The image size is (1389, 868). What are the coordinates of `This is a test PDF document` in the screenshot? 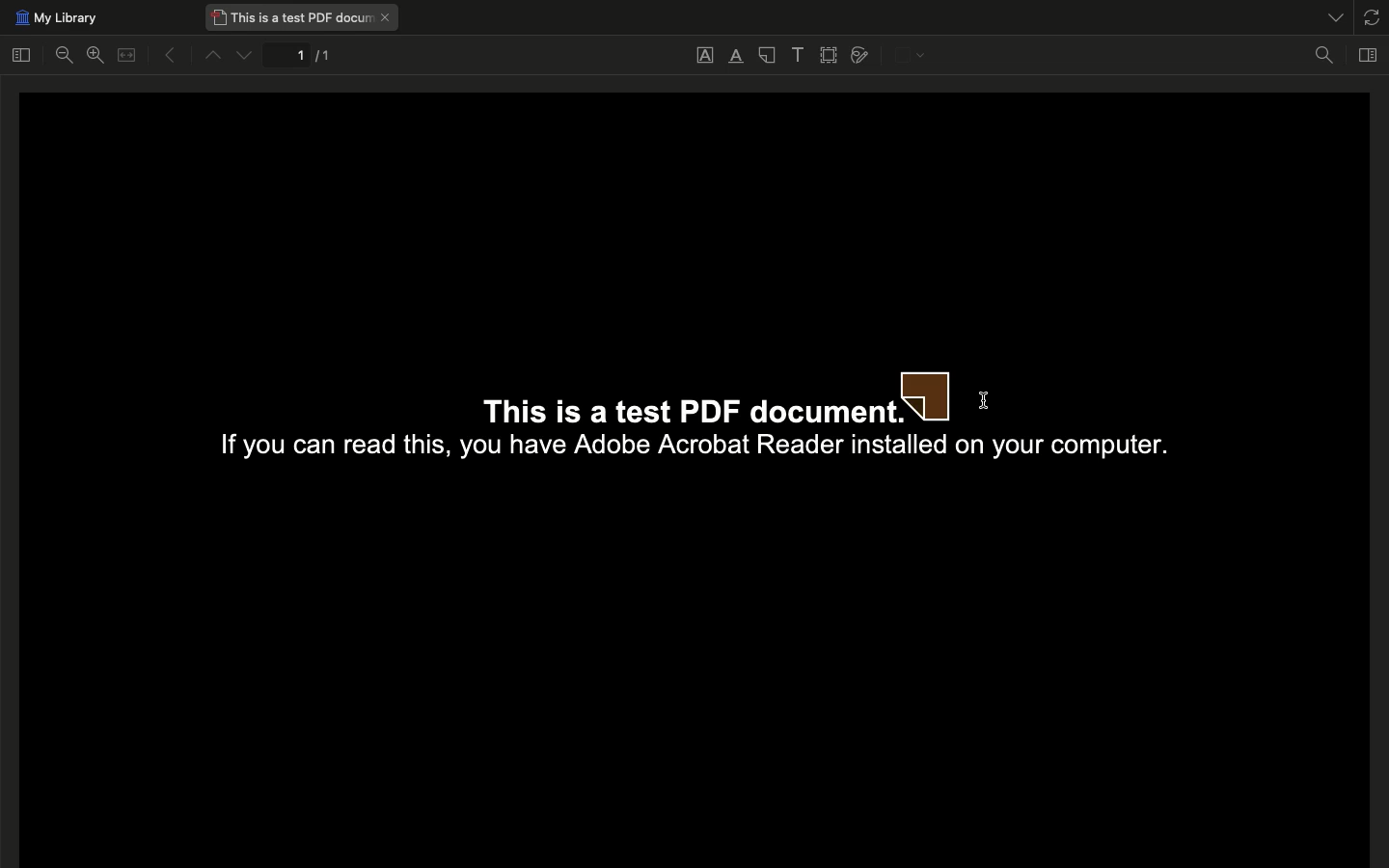 It's located at (303, 17).